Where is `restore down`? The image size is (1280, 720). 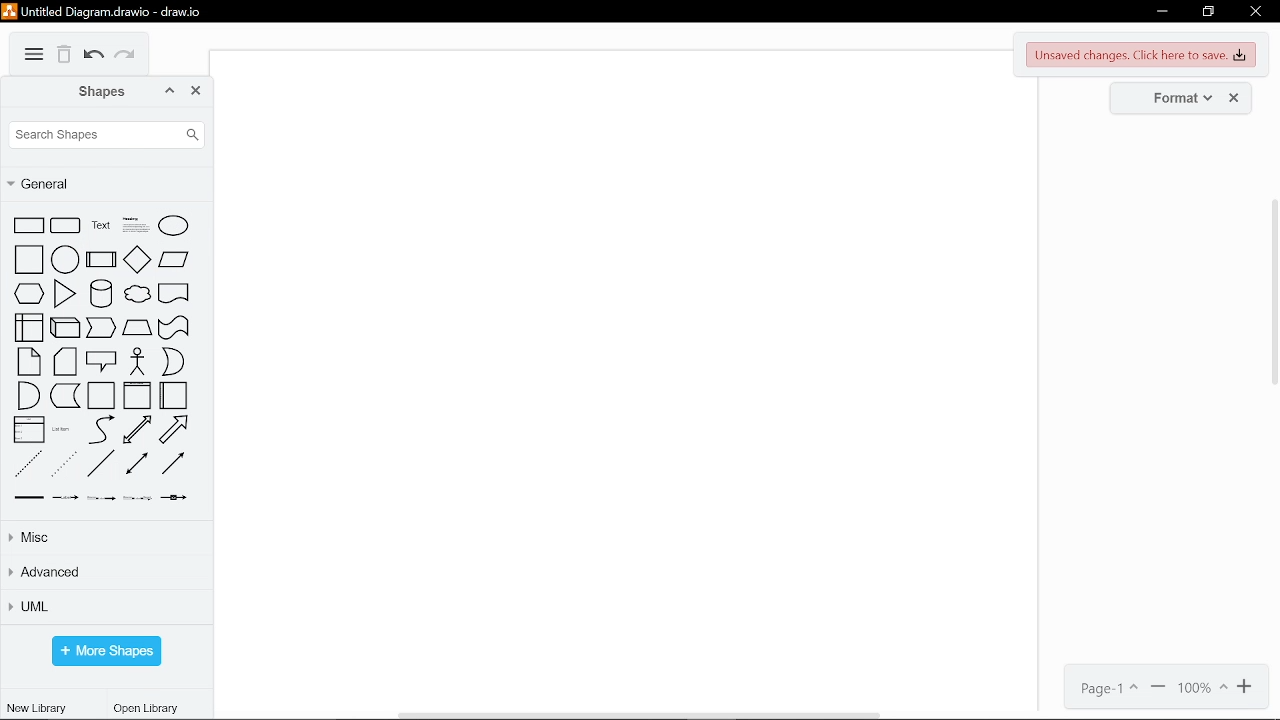
restore down is located at coordinates (1208, 13).